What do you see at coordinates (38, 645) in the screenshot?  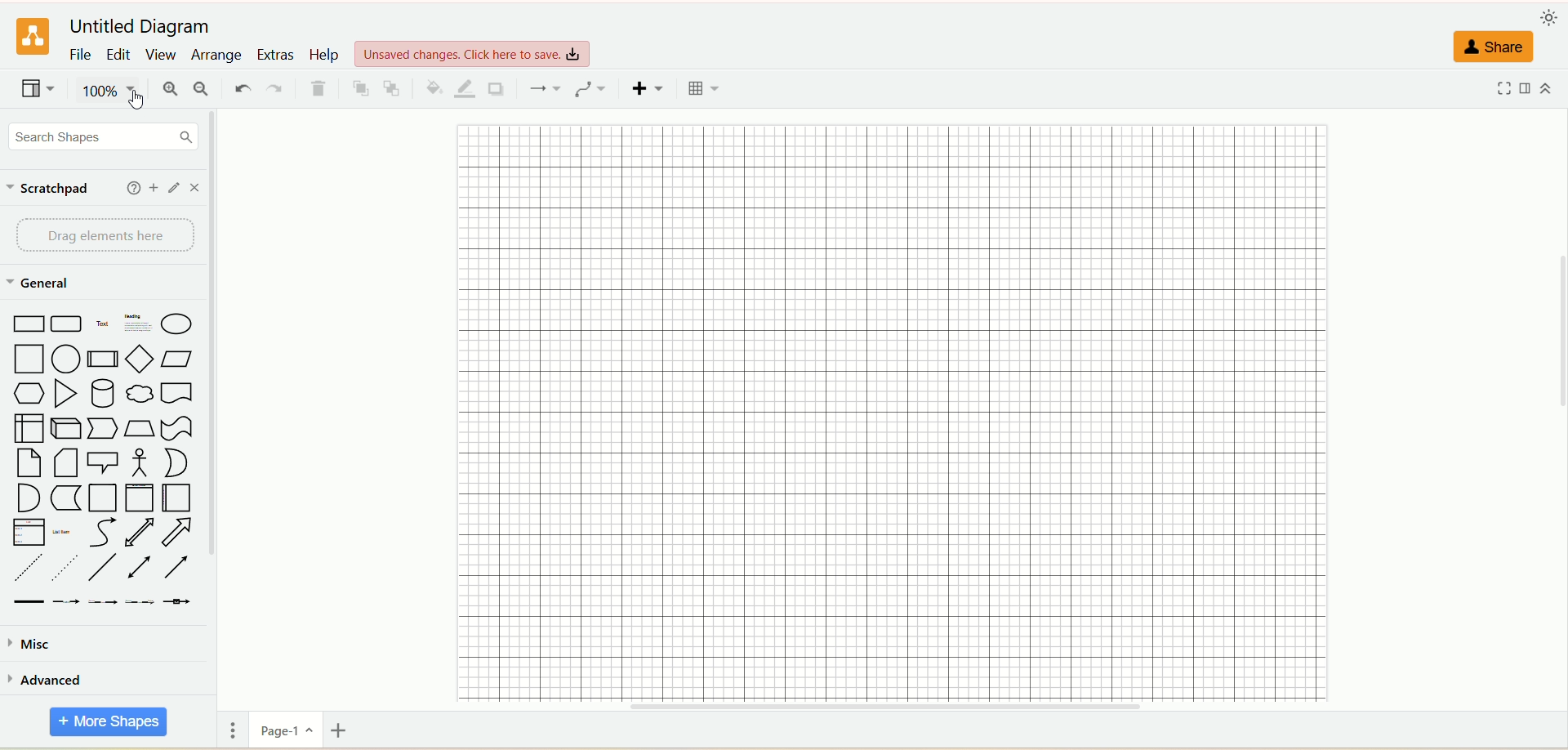 I see `misc` at bounding box center [38, 645].